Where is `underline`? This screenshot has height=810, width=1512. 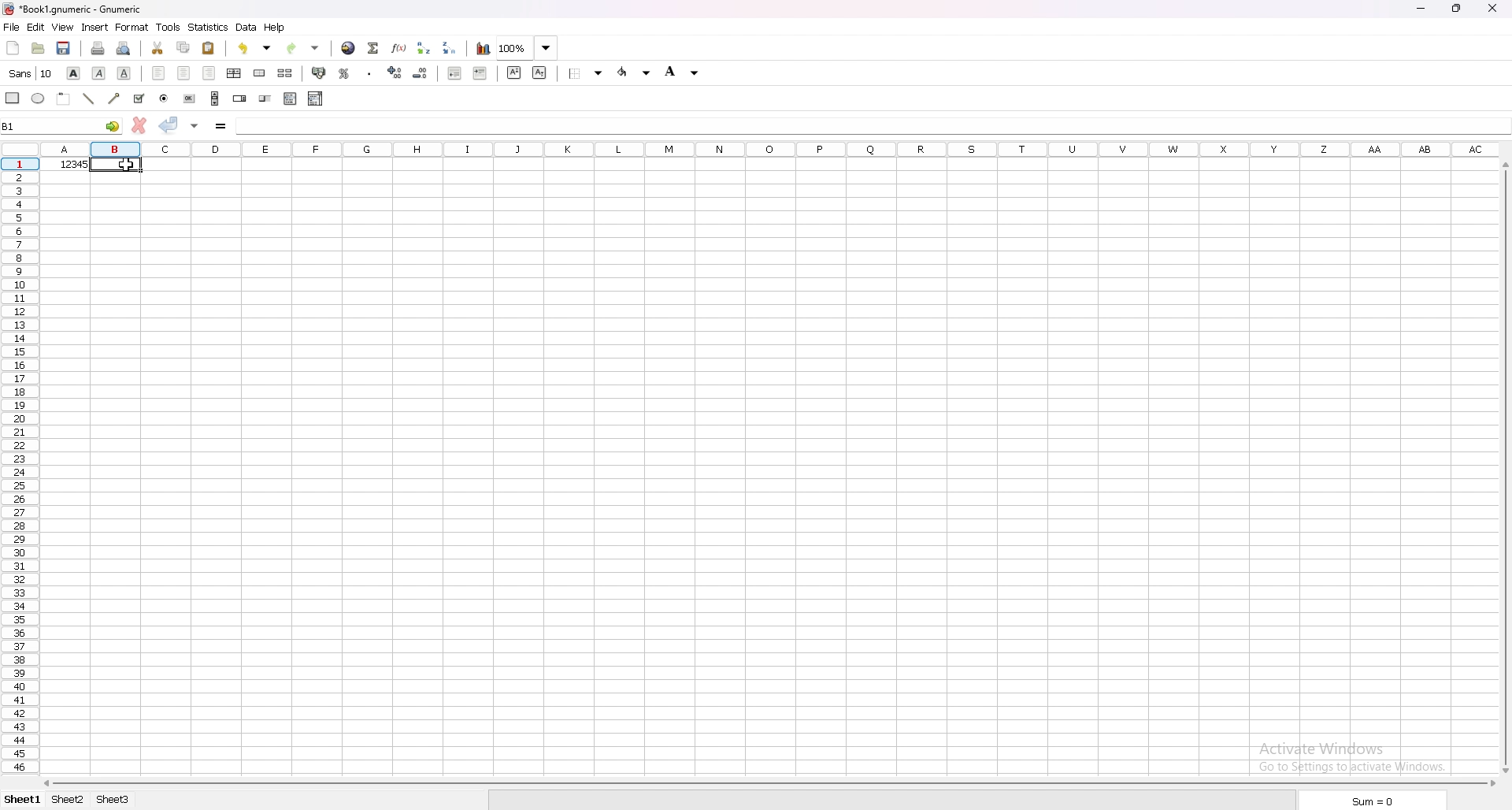 underline is located at coordinates (124, 74).